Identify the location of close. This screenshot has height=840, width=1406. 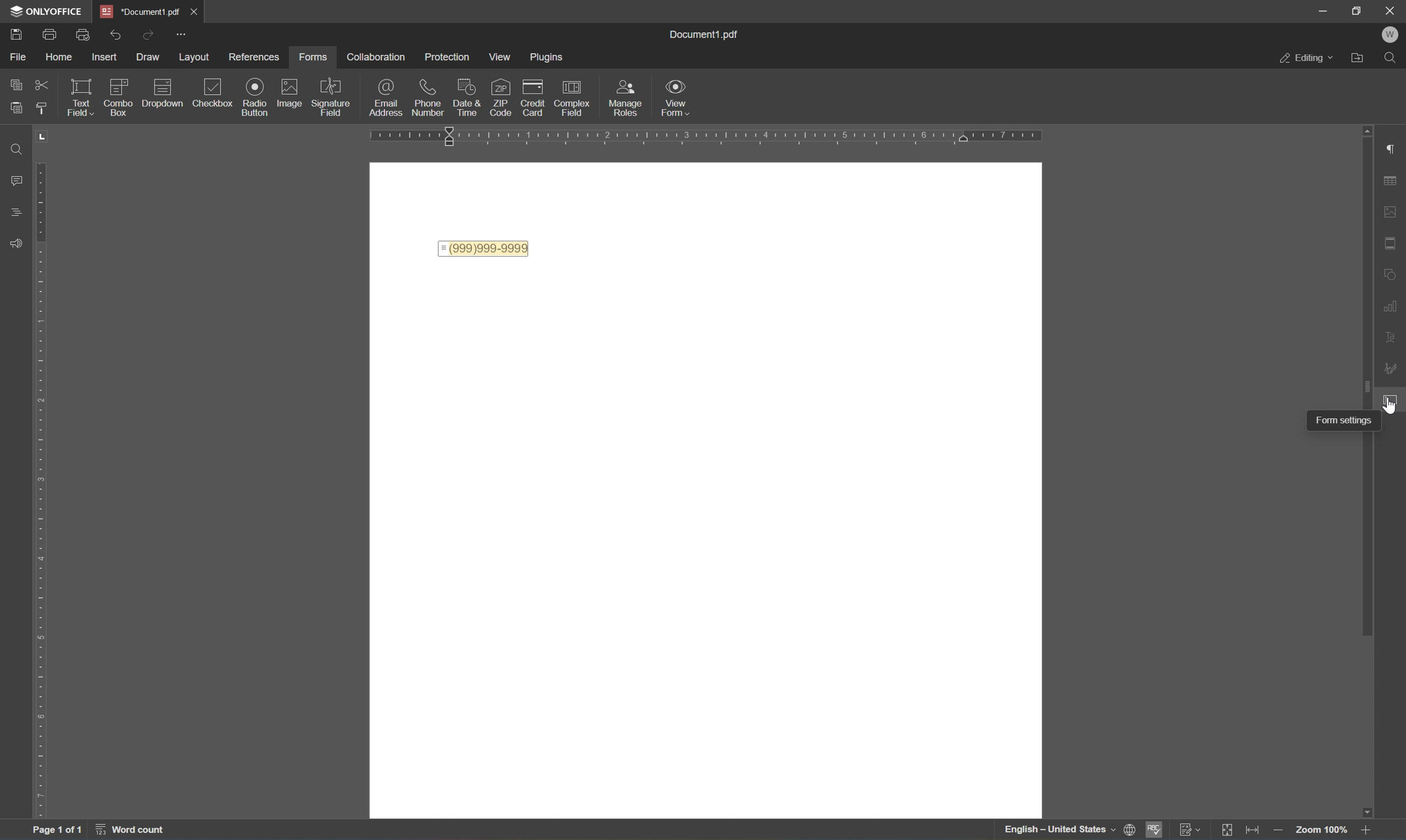
(1391, 10).